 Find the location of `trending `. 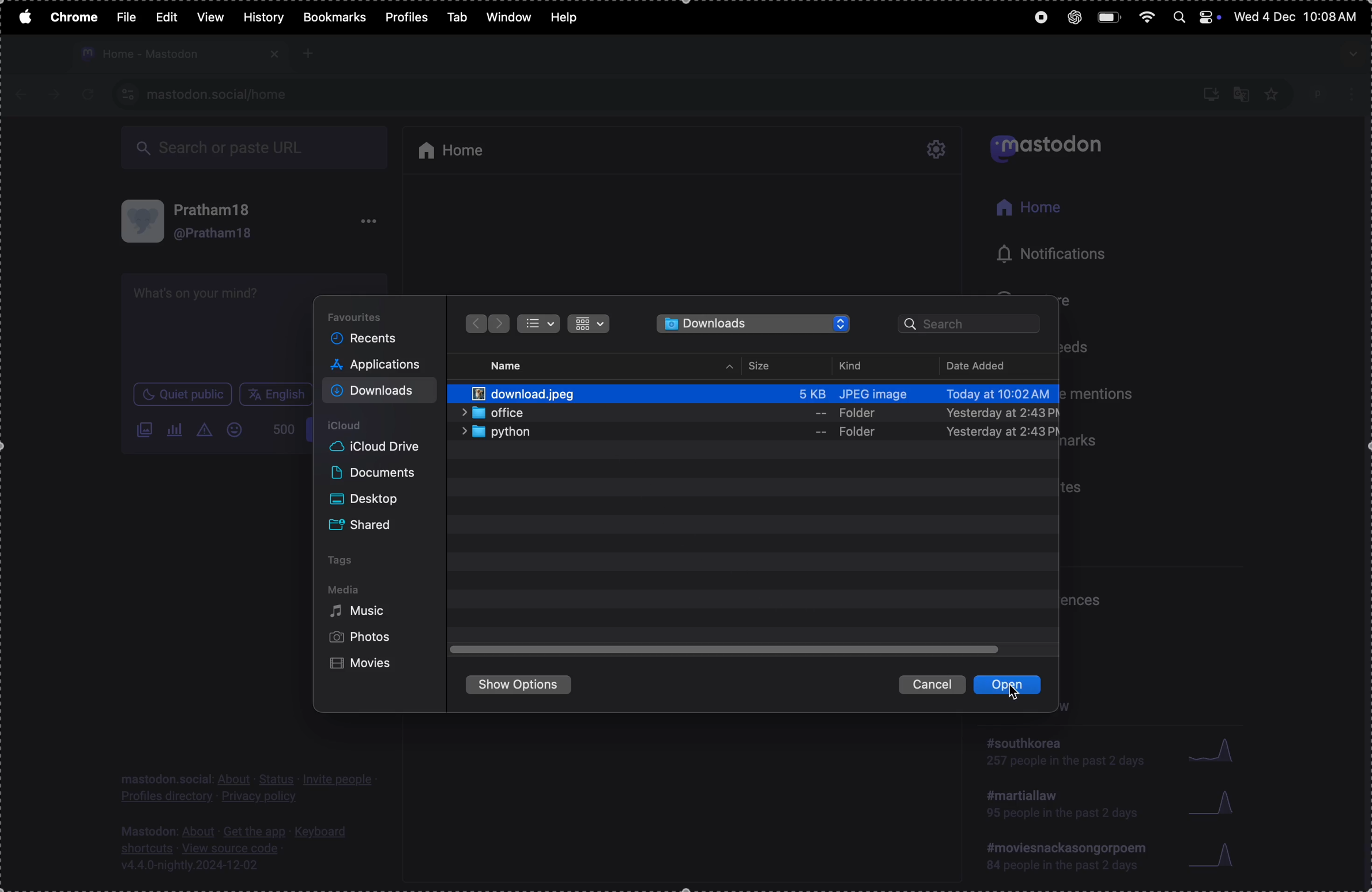

trending  is located at coordinates (1068, 859).